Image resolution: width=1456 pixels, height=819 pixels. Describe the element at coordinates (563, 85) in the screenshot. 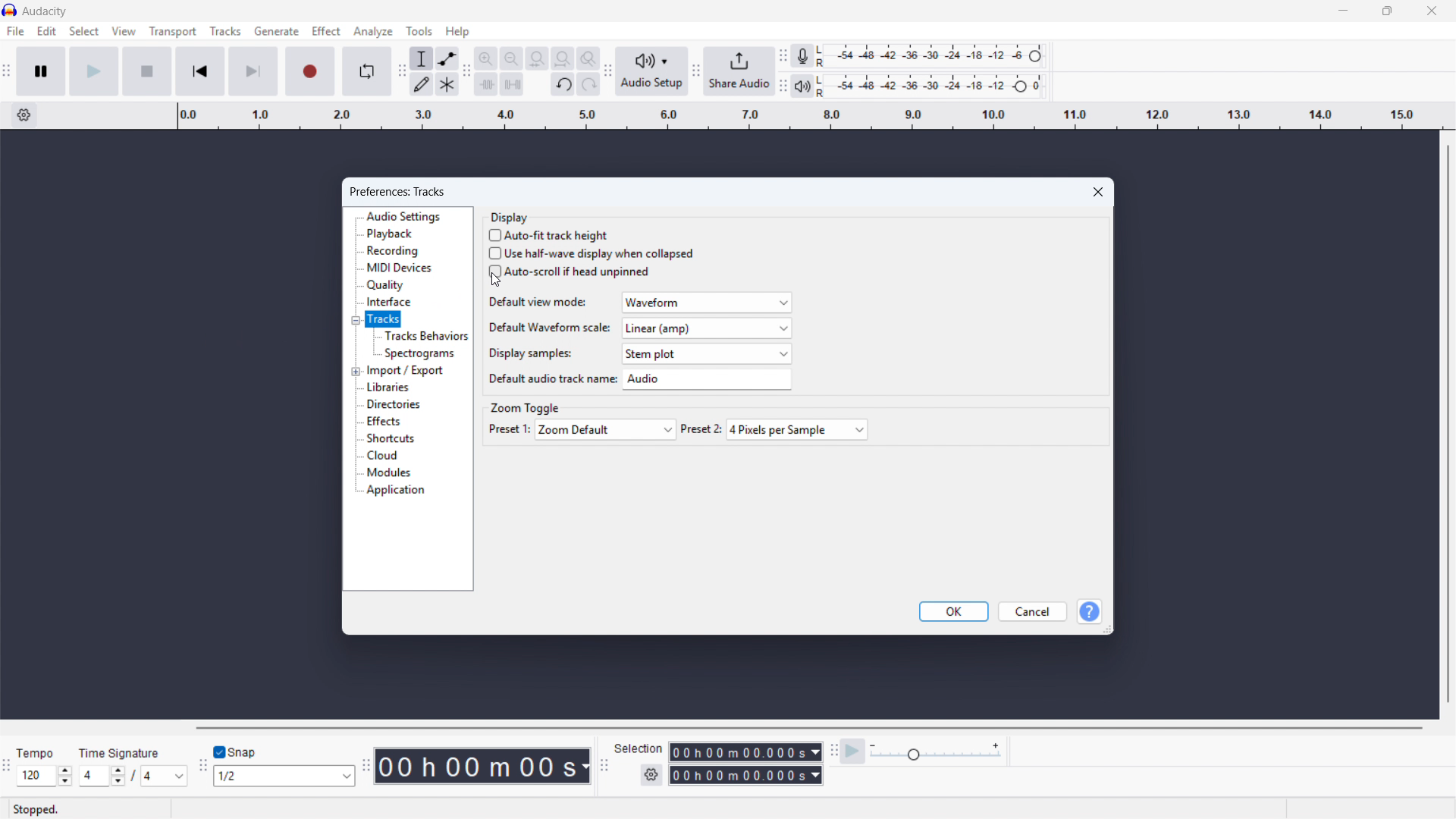

I see `undo` at that location.